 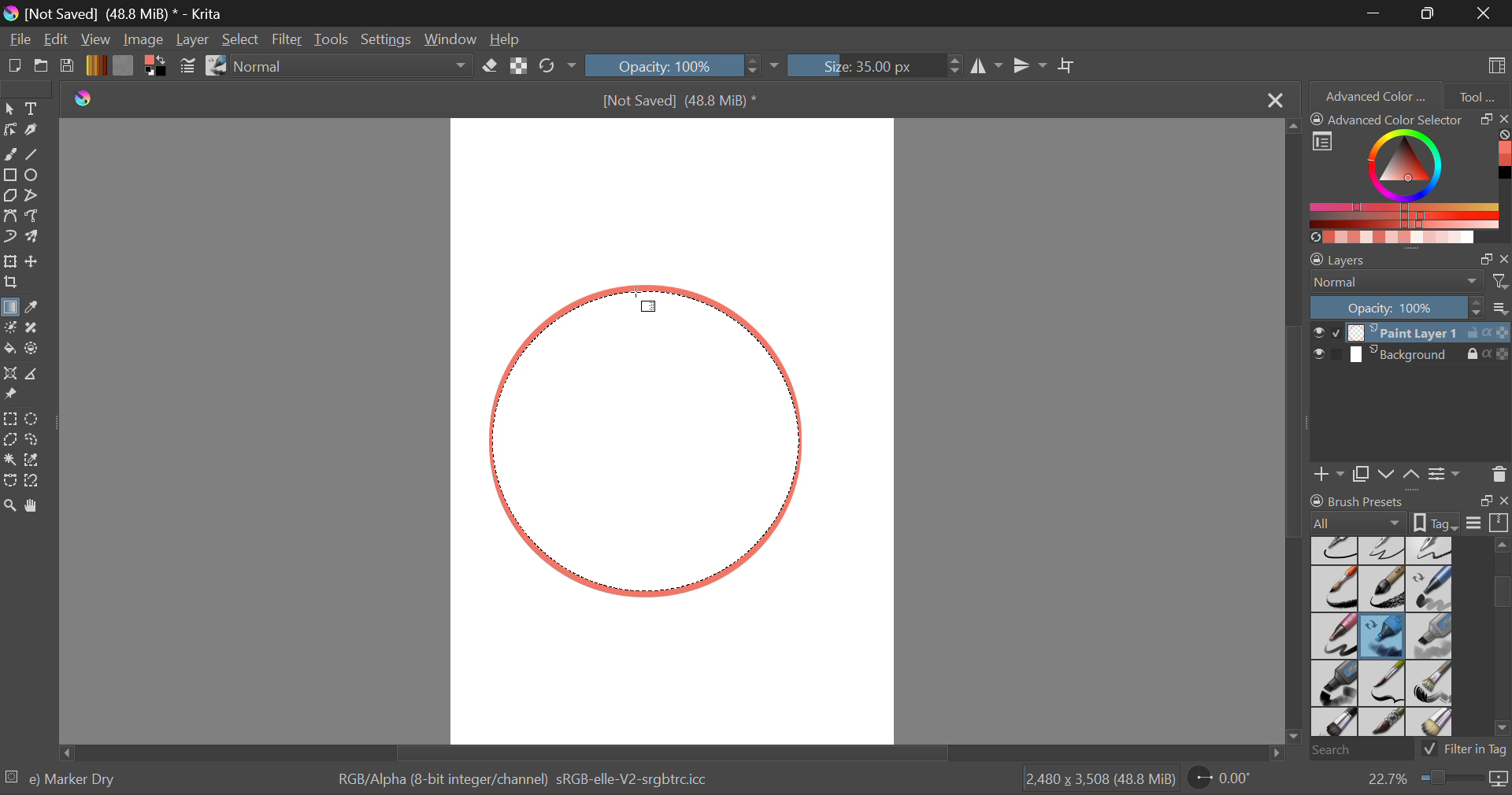 What do you see at coordinates (1383, 682) in the screenshot?
I see `Bristles-1 Details` at bounding box center [1383, 682].